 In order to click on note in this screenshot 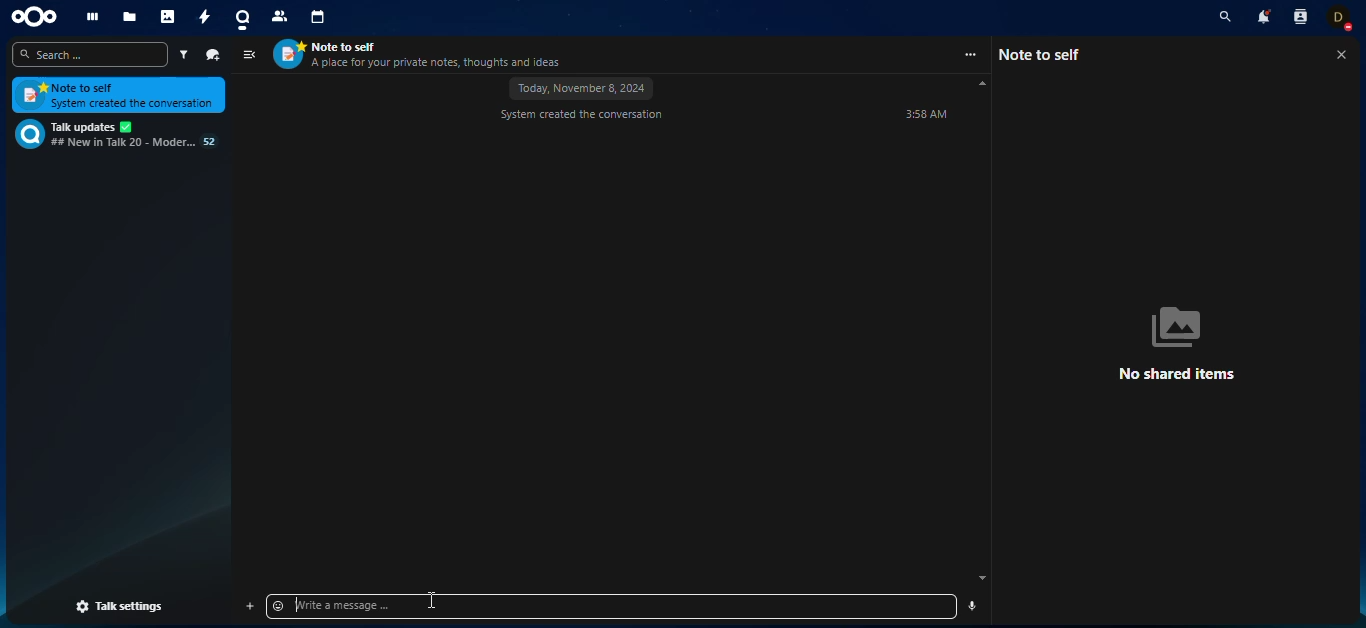, I will do `click(1046, 54)`.